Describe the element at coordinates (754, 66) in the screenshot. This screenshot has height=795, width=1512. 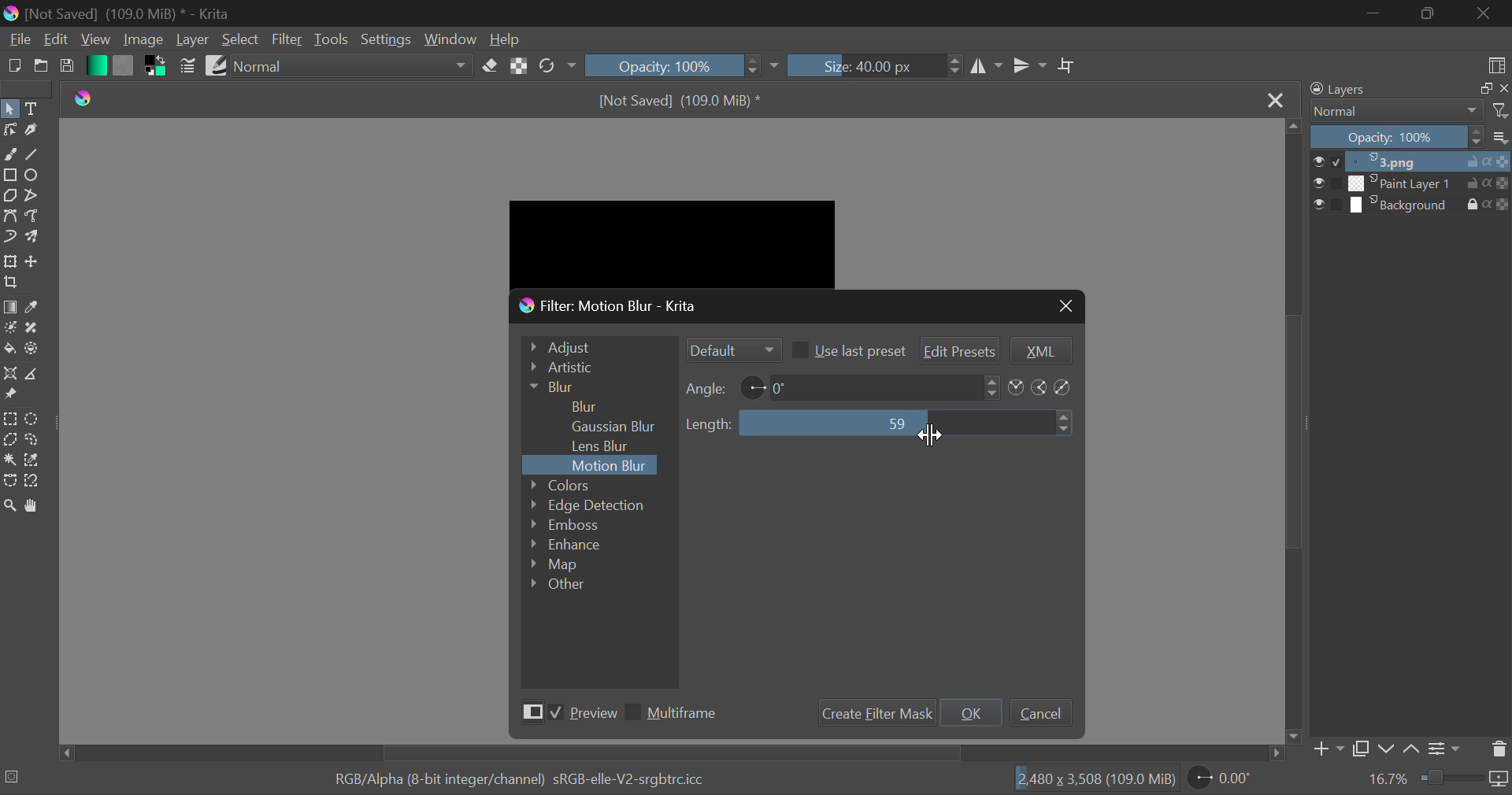
I see `increase or decrease opacity` at that location.